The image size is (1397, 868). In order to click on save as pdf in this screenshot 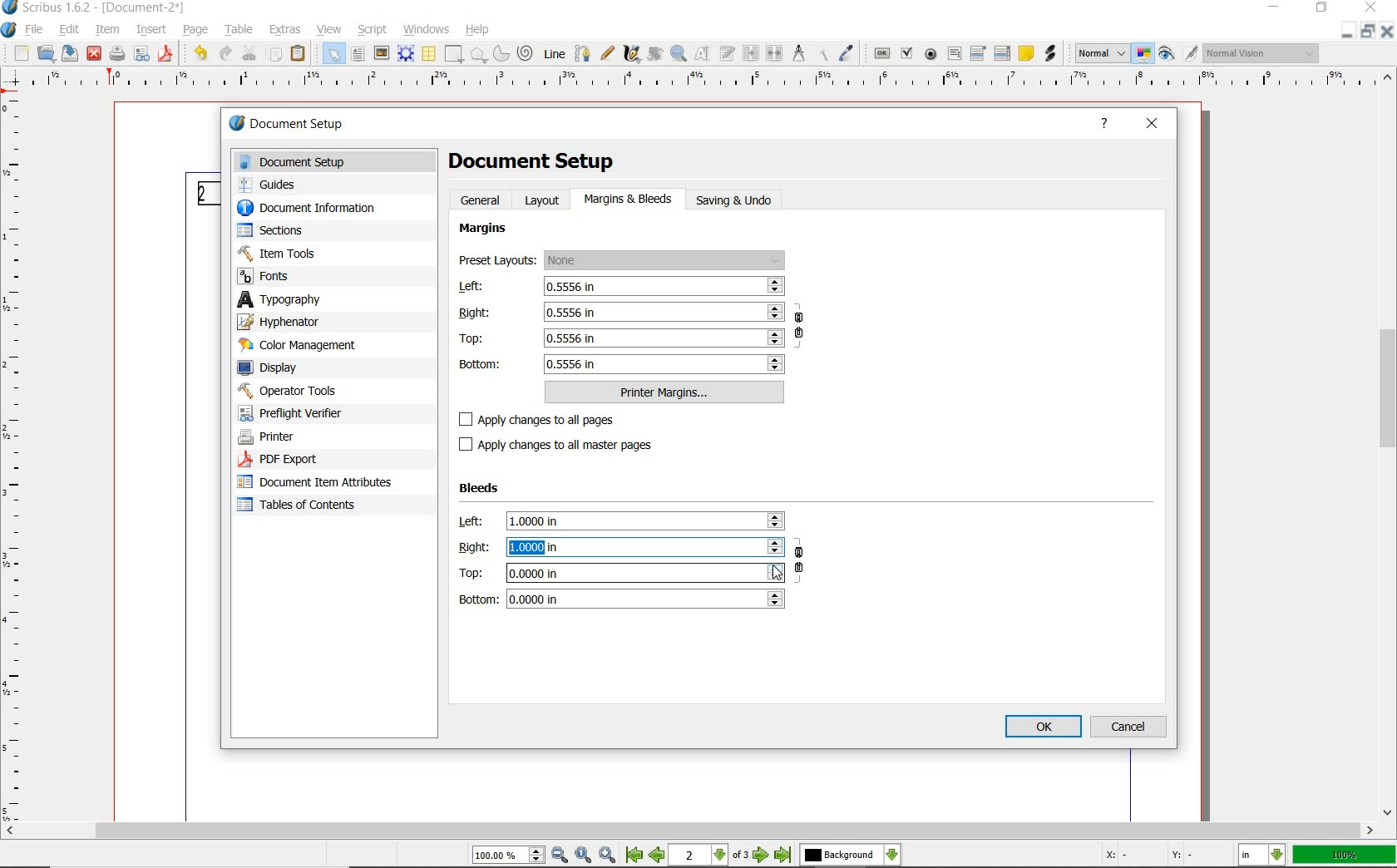, I will do `click(165, 54)`.